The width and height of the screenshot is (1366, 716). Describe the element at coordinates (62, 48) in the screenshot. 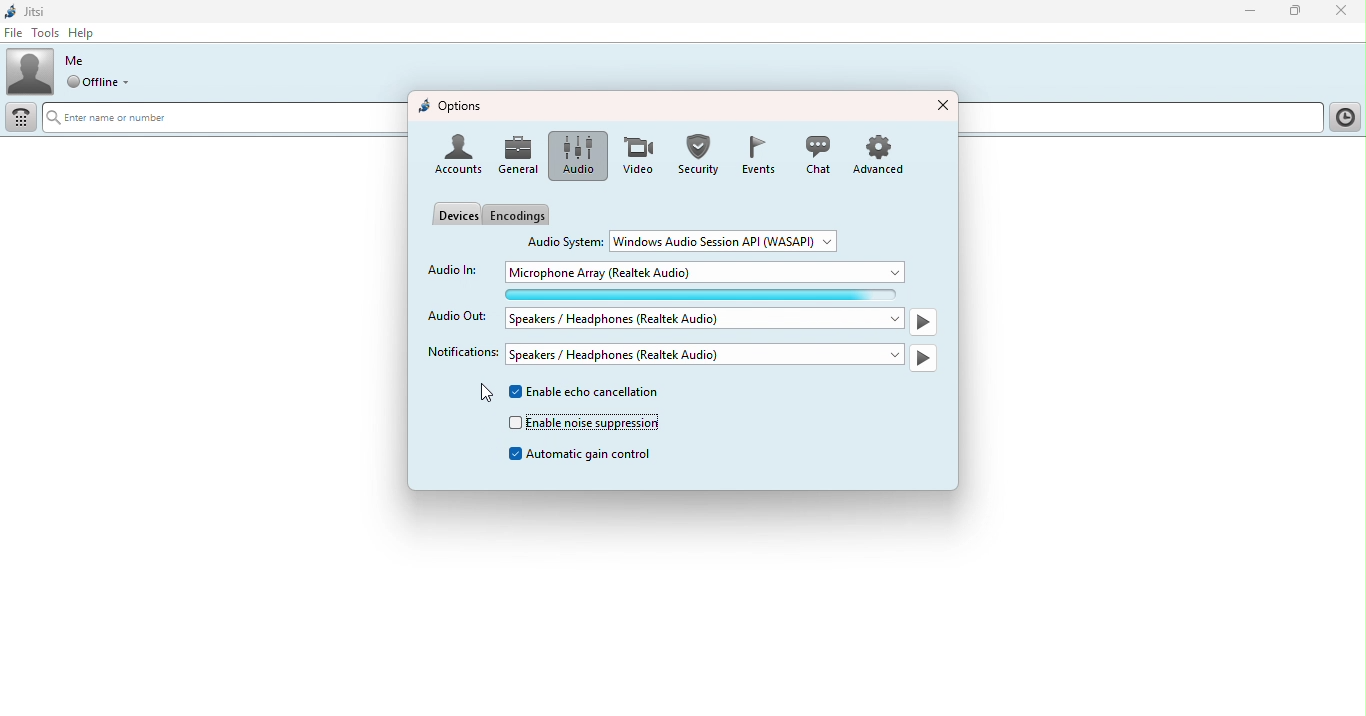

I see `Cursor` at that location.